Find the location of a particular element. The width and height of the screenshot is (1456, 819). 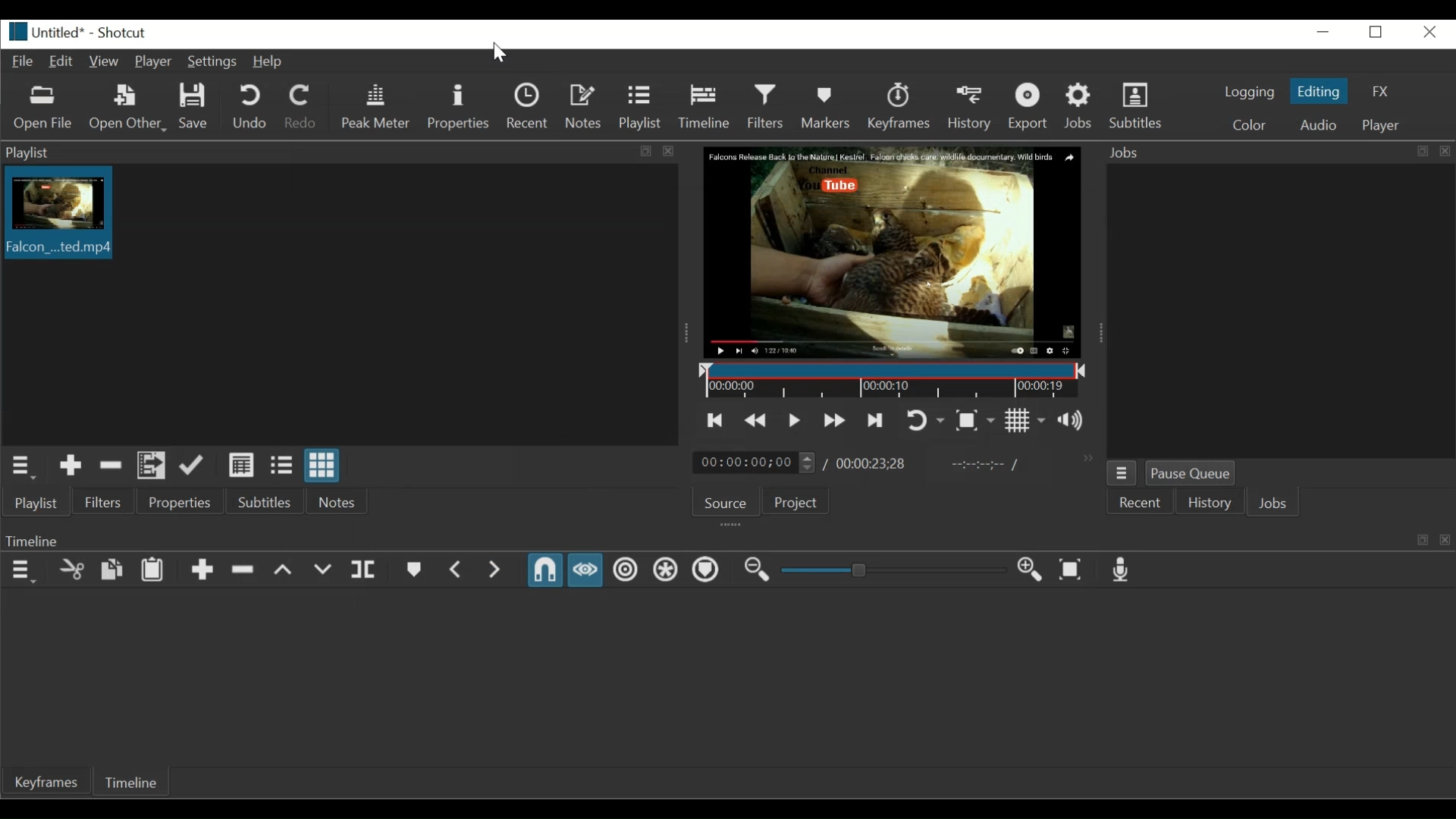

Remove cut is located at coordinates (111, 465).